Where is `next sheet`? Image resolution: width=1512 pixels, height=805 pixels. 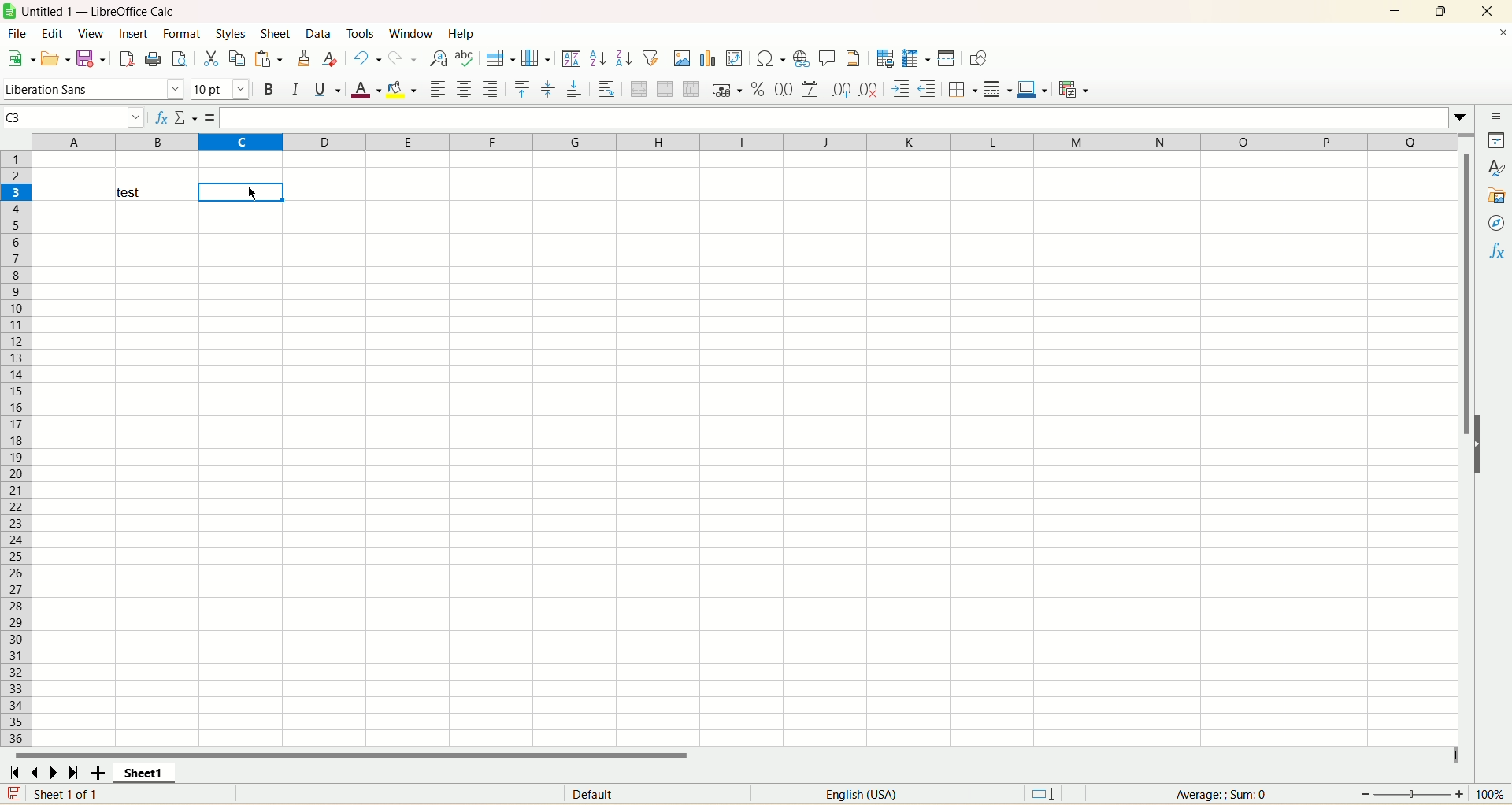
next sheet is located at coordinates (54, 772).